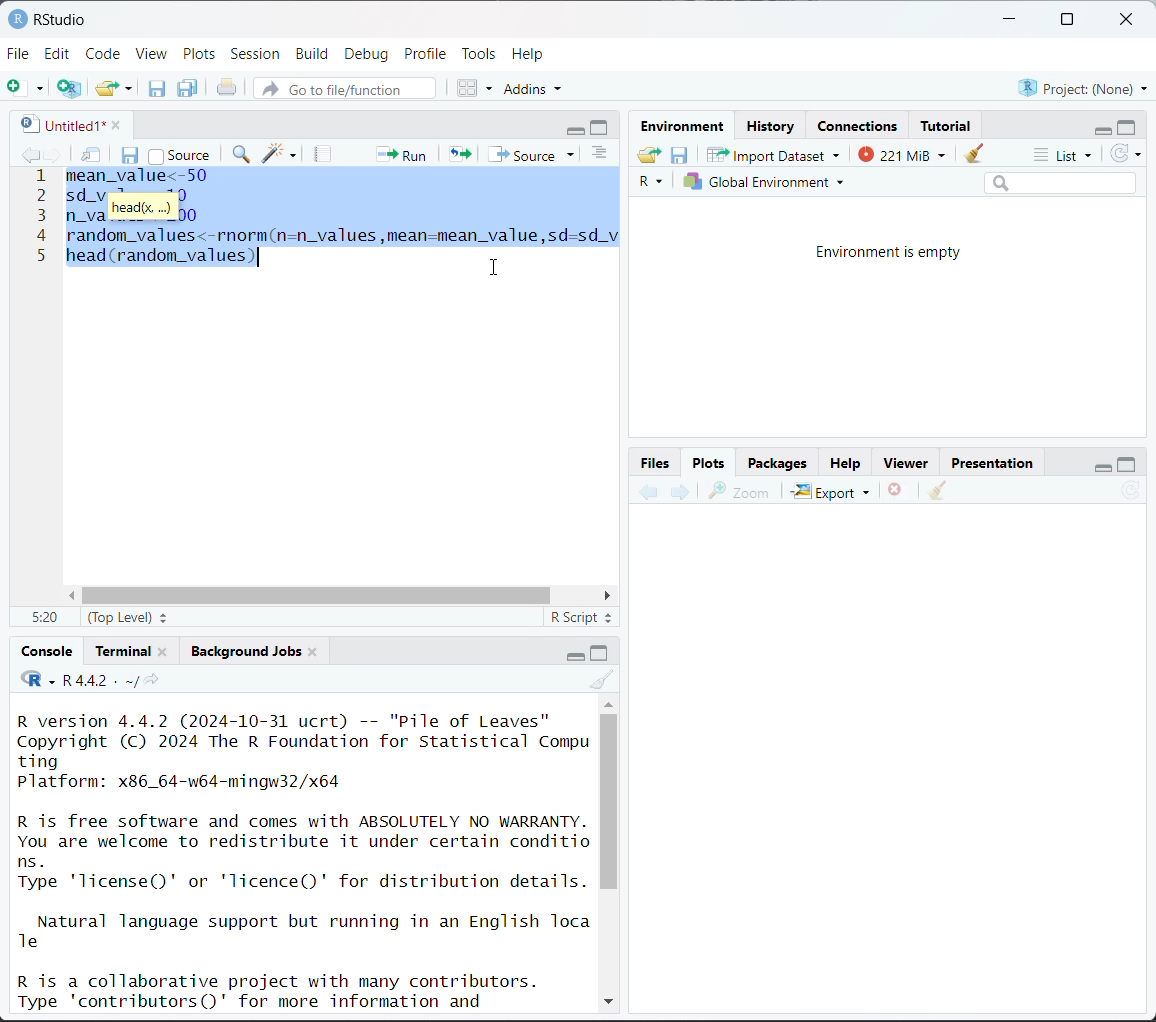 This screenshot has height=1022, width=1156. I want to click on find/replace, so click(243, 156).